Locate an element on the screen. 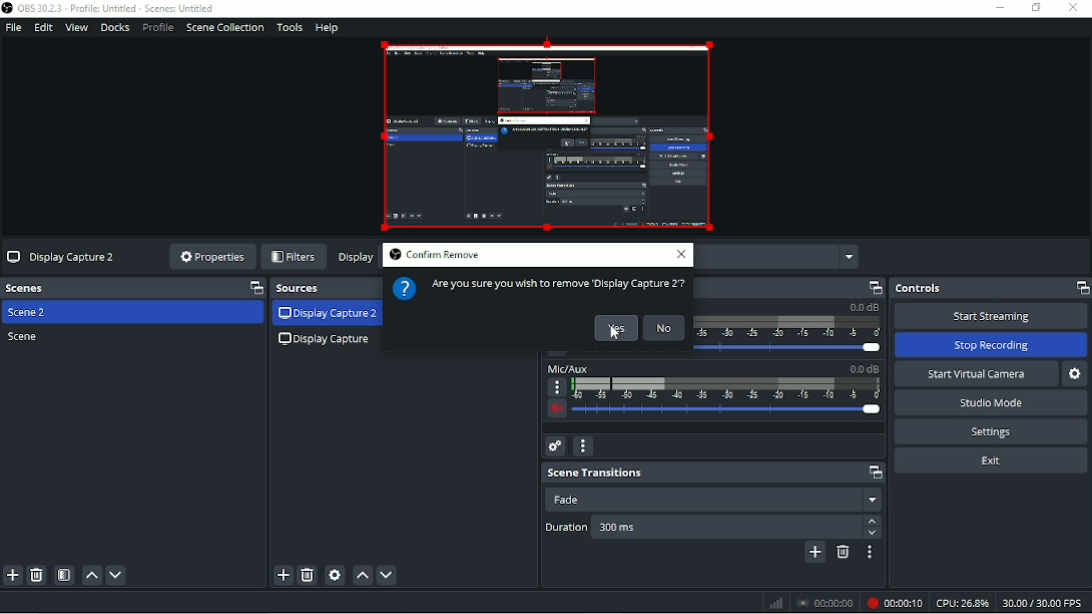  Tools is located at coordinates (290, 27).